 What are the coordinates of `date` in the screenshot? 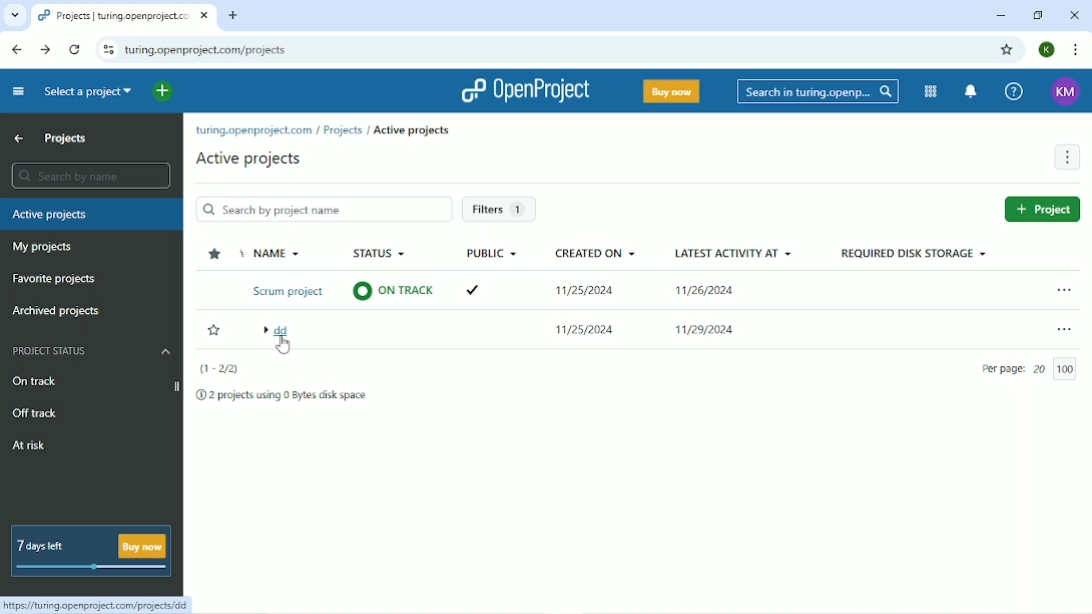 It's located at (586, 292).